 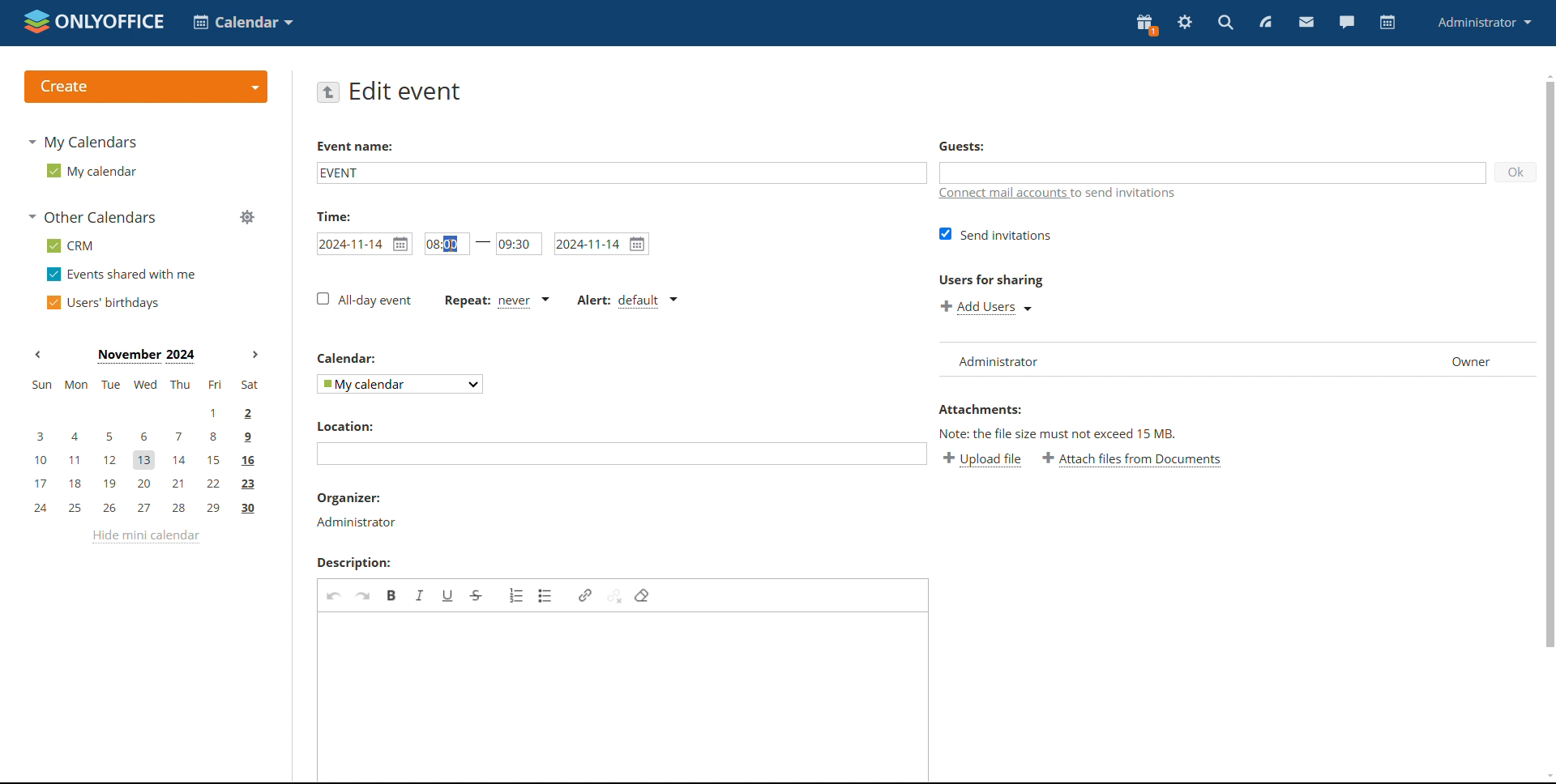 What do you see at coordinates (143, 385) in the screenshot?
I see `sun, mon, tue, wed, thu, fri, sat` at bounding box center [143, 385].